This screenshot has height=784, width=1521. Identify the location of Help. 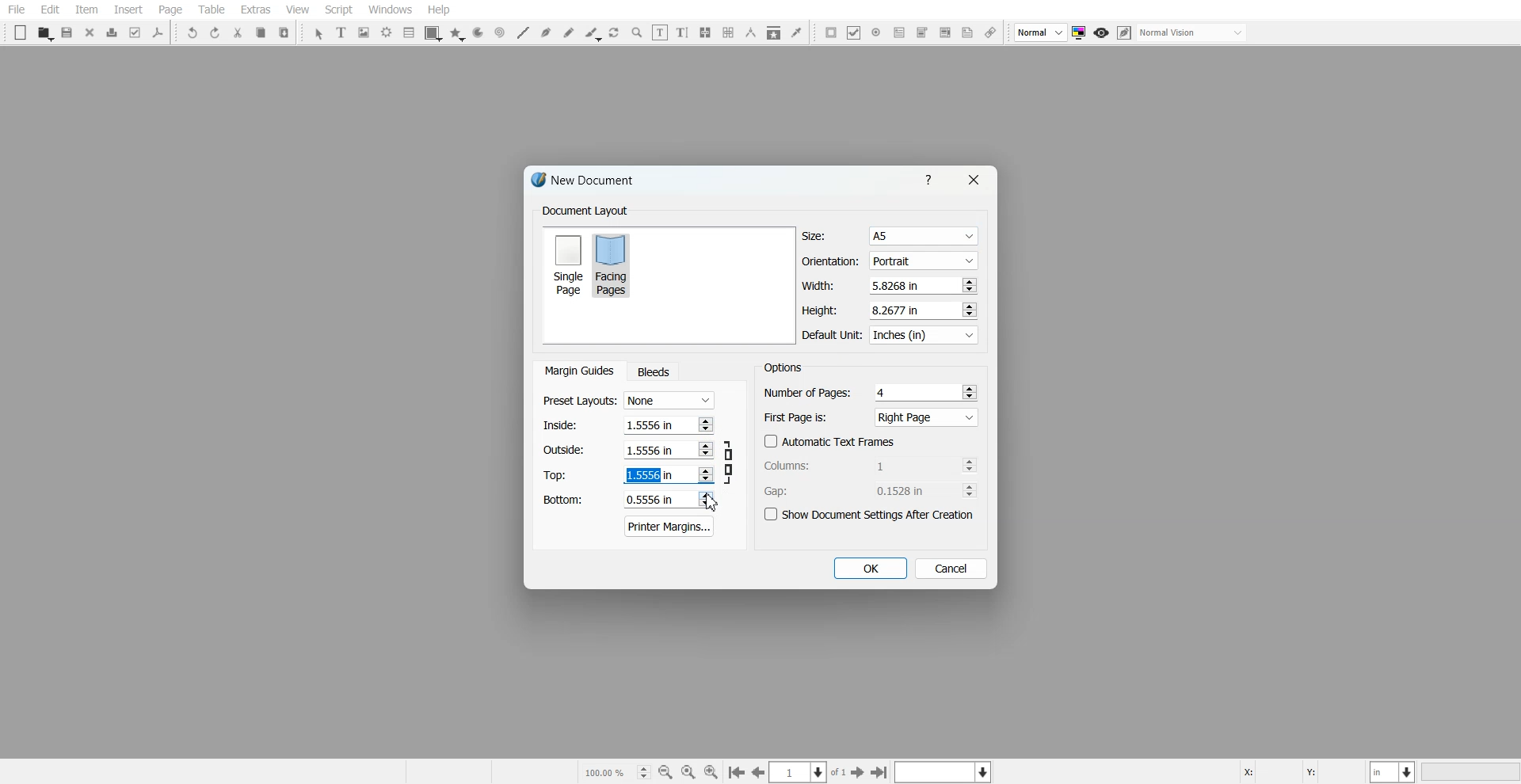
(438, 10).